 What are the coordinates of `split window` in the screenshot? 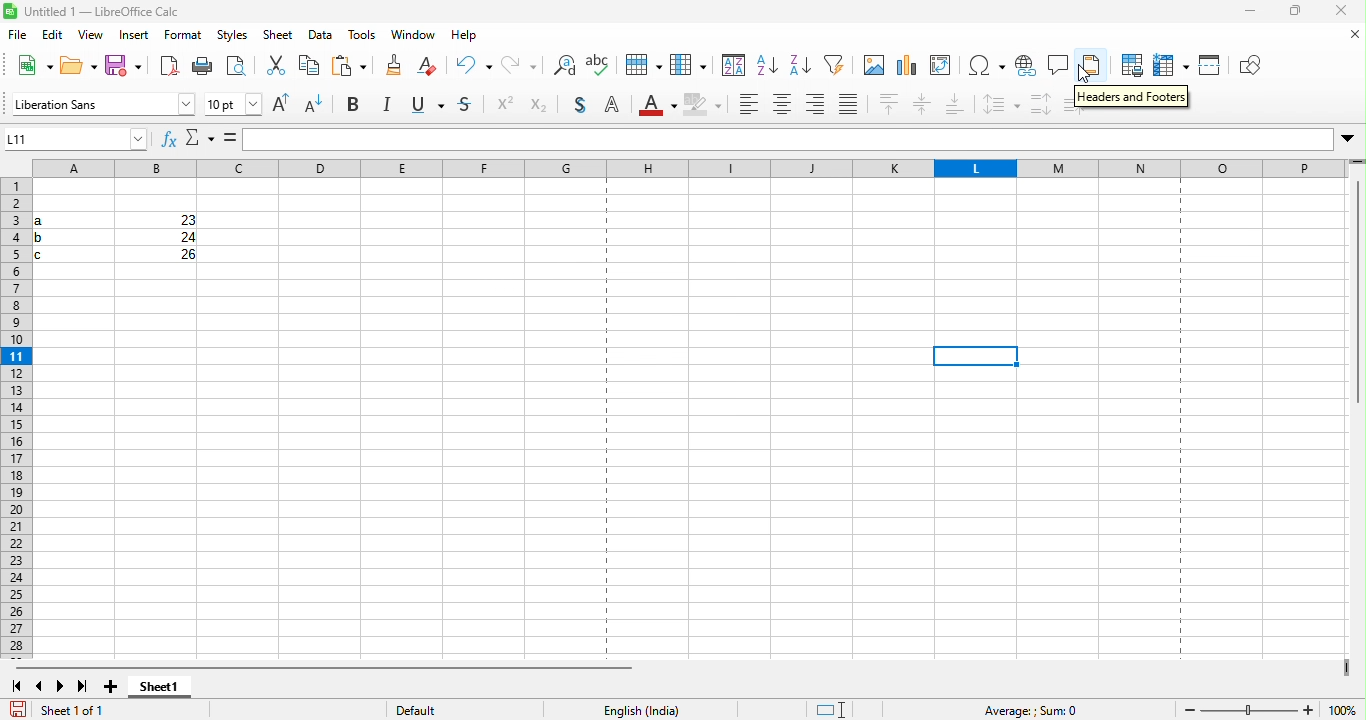 It's located at (1209, 66).